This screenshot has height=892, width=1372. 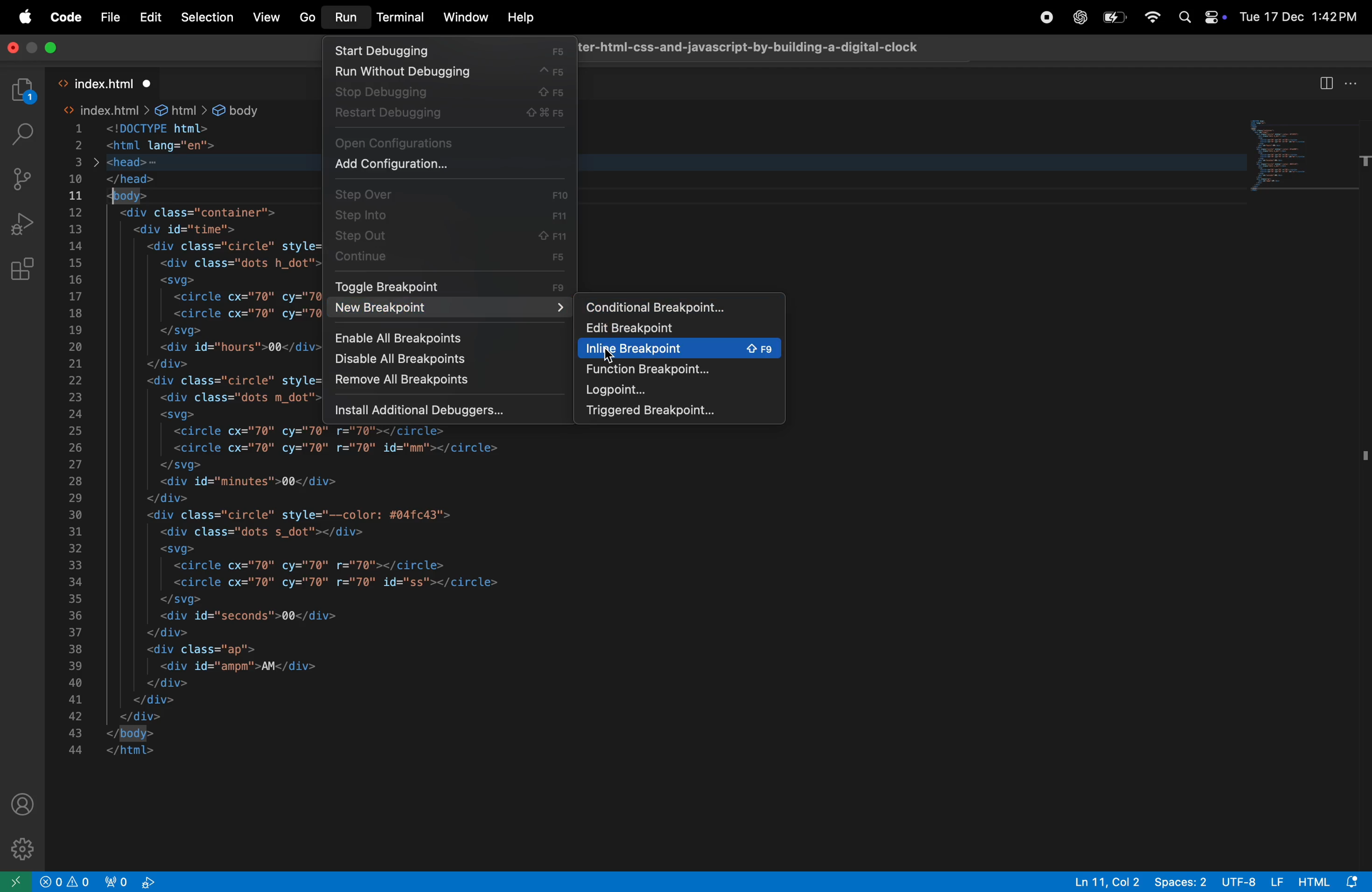 I want to click on toggle breakpoint, so click(x=451, y=286).